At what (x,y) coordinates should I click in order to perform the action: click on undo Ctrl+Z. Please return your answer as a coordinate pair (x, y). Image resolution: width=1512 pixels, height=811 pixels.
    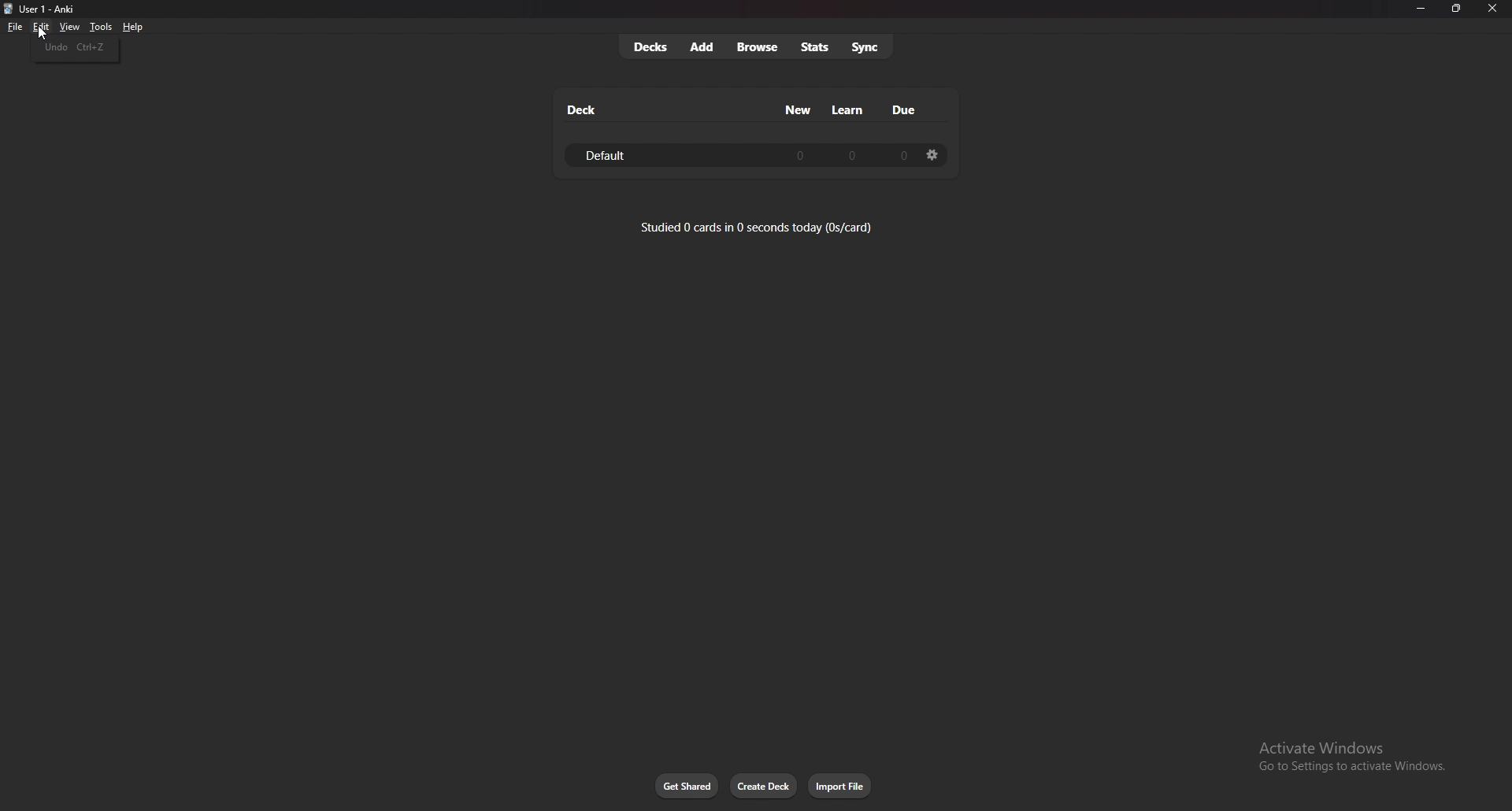
    Looking at the image, I should click on (76, 48).